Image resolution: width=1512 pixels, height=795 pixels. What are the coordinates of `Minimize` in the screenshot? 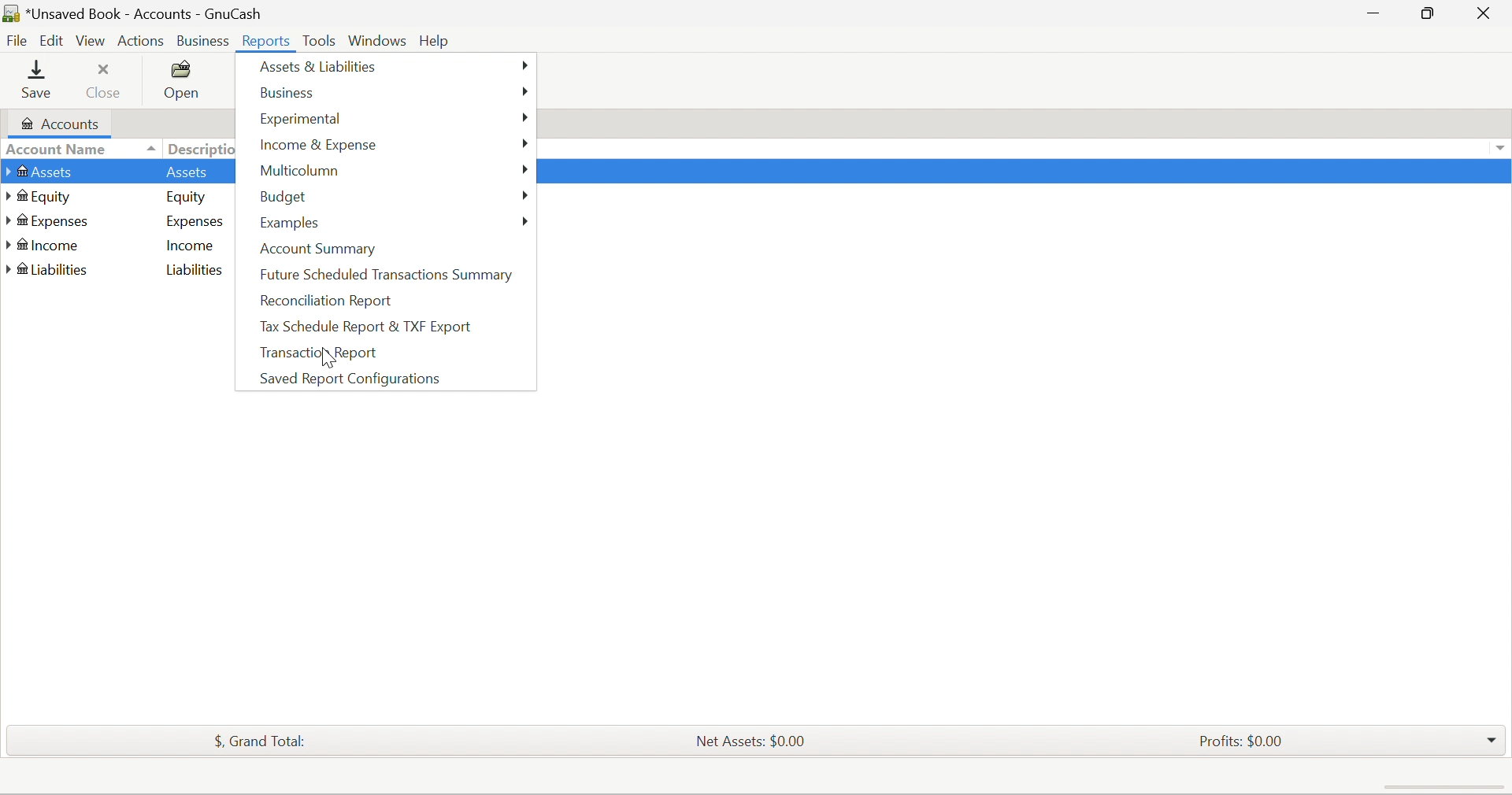 It's located at (1369, 14).